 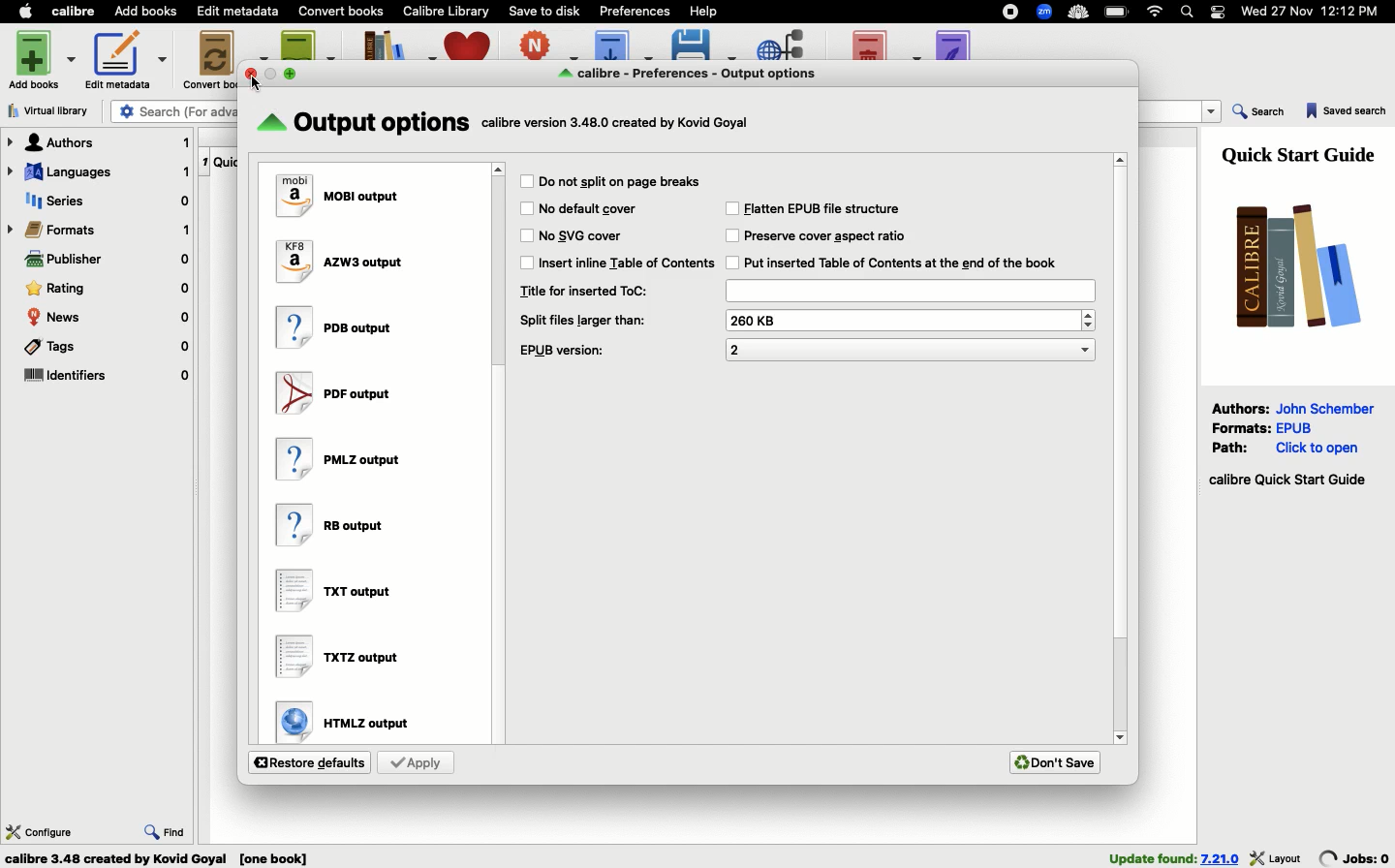 What do you see at coordinates (584, 291) in the screenshot?
I see `Title` at bounding box center [584, 291].